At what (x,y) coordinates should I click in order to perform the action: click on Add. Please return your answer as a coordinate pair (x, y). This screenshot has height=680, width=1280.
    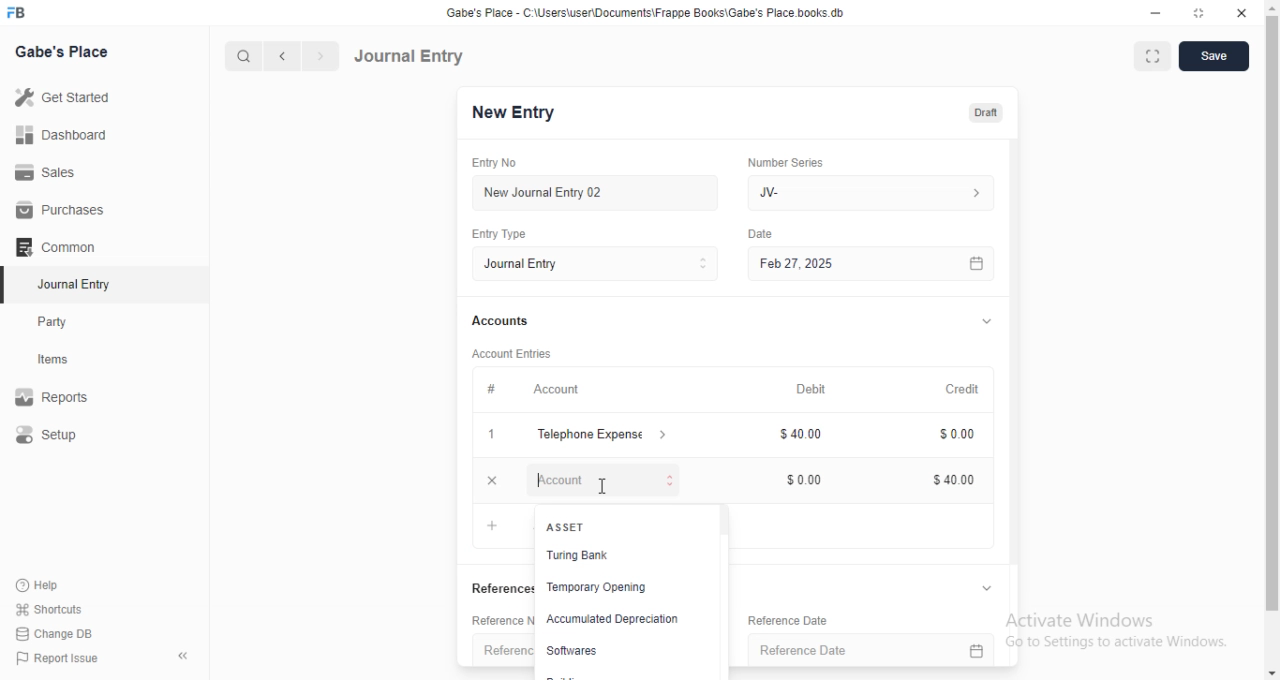
    Looking at the image, I should click on (490, 525).